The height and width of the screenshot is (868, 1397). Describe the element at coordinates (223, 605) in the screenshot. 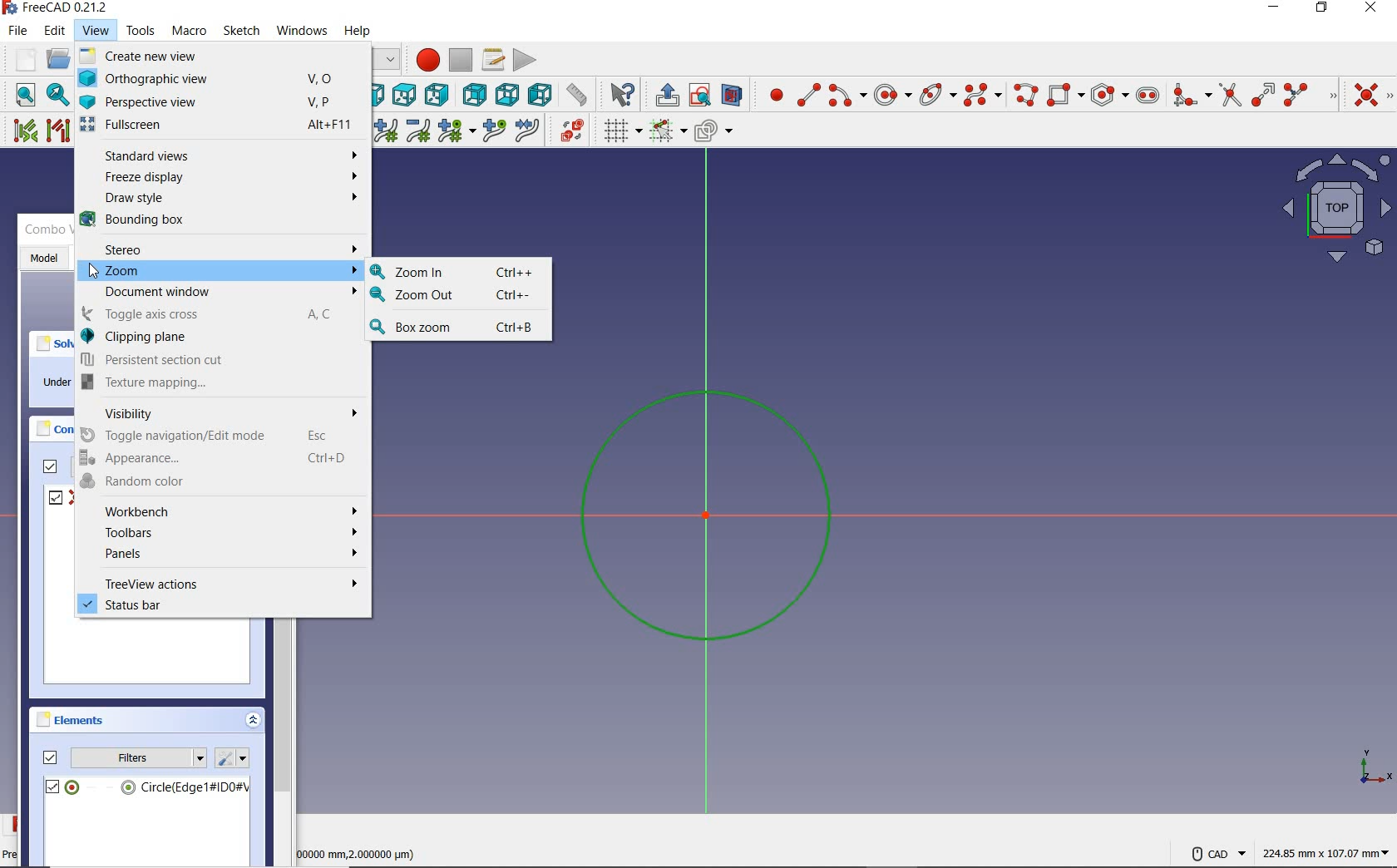

I see `status bar` at that location.